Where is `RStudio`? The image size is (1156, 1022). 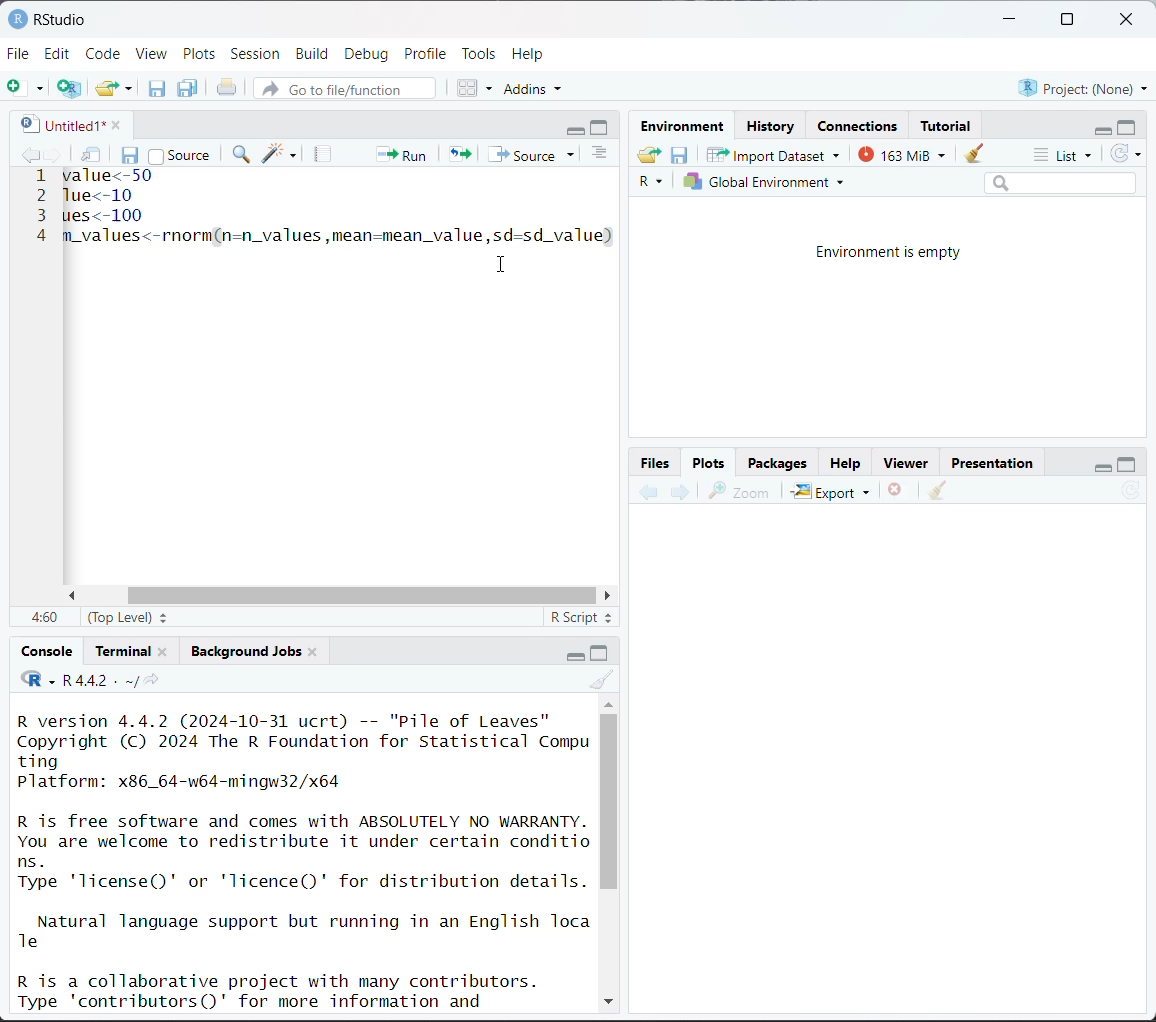
RStudio is located at coordinates (47, 18).